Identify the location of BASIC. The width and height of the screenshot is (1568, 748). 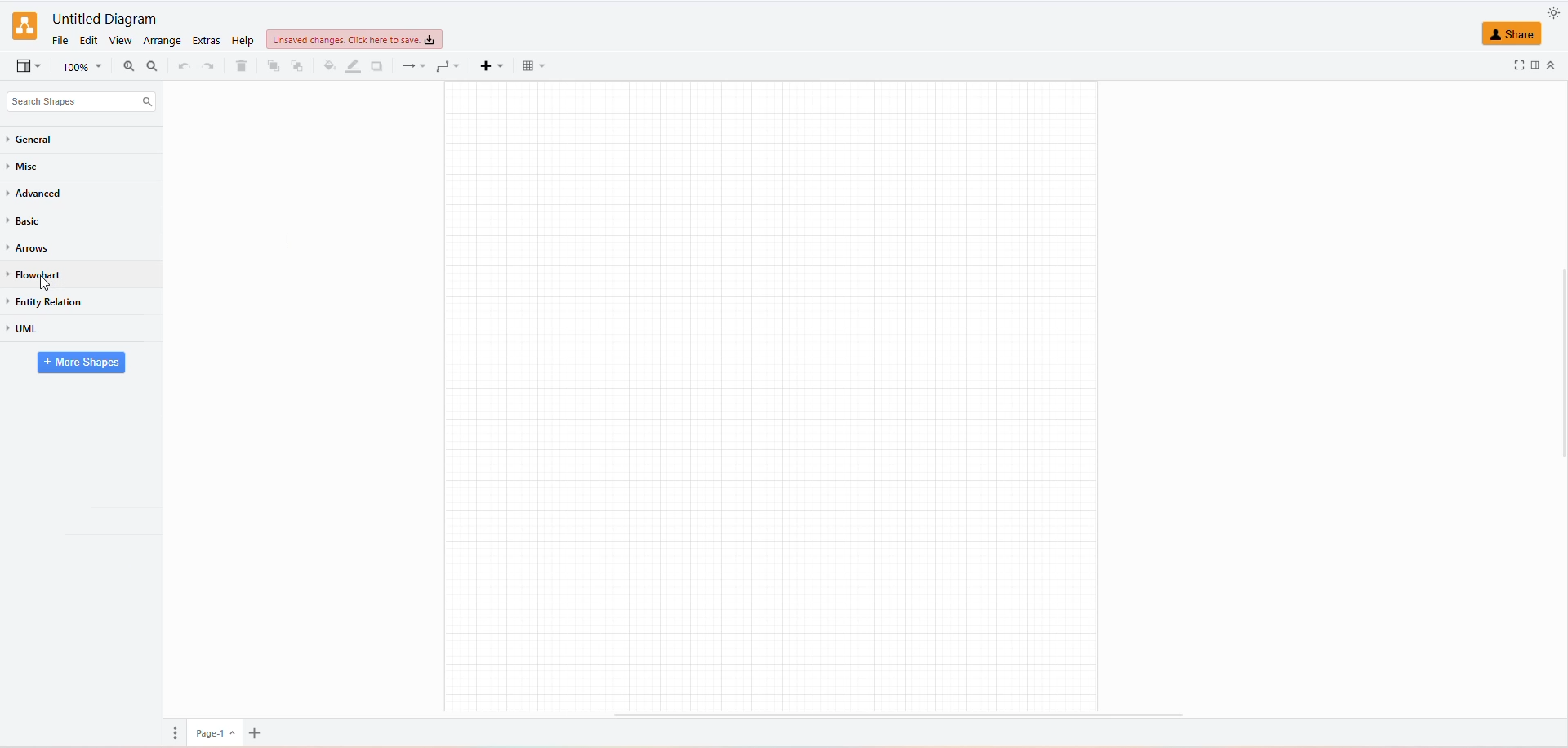
(25, 223).